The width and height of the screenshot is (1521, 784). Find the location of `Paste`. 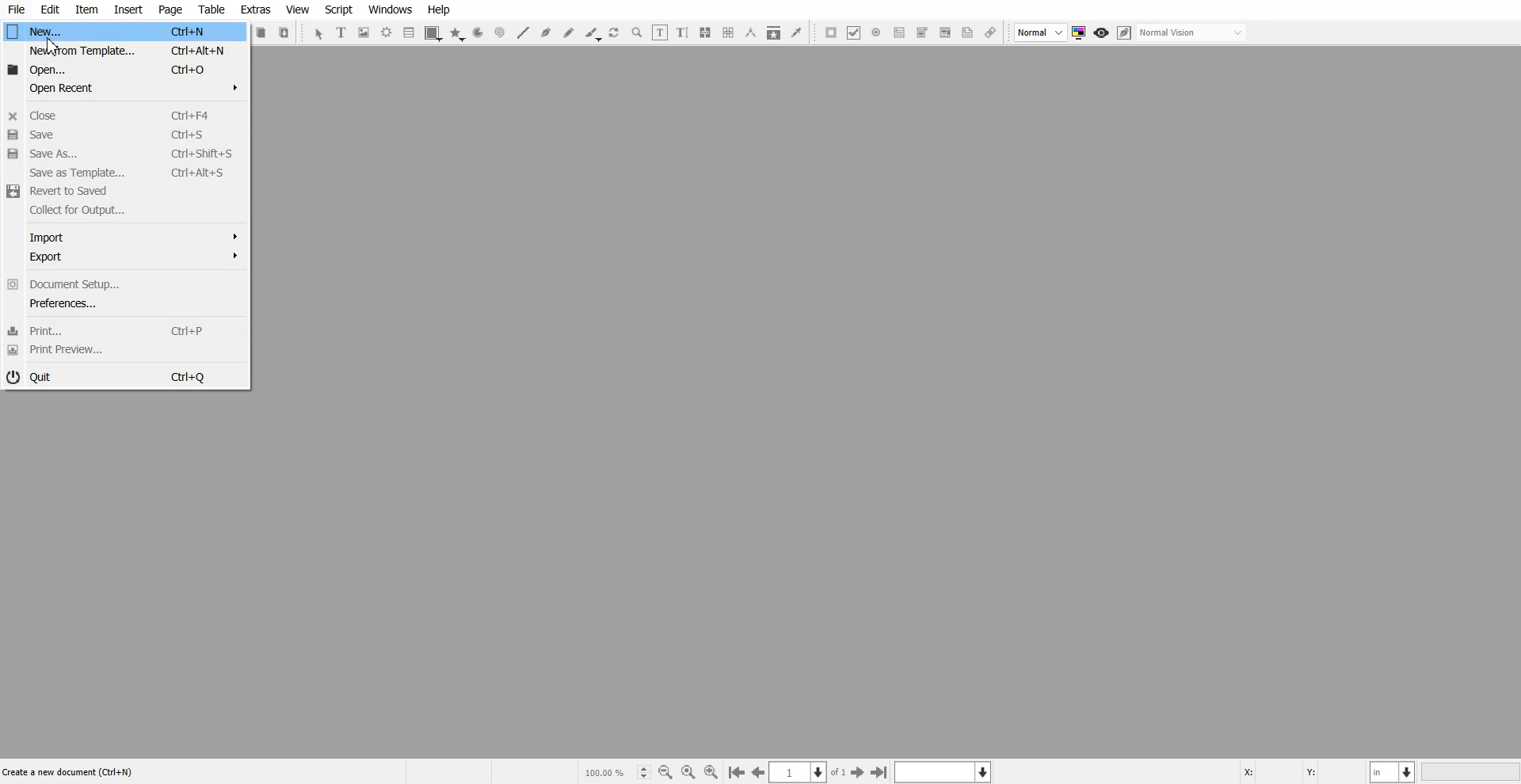

Paste is located at coordinates (284, 32).